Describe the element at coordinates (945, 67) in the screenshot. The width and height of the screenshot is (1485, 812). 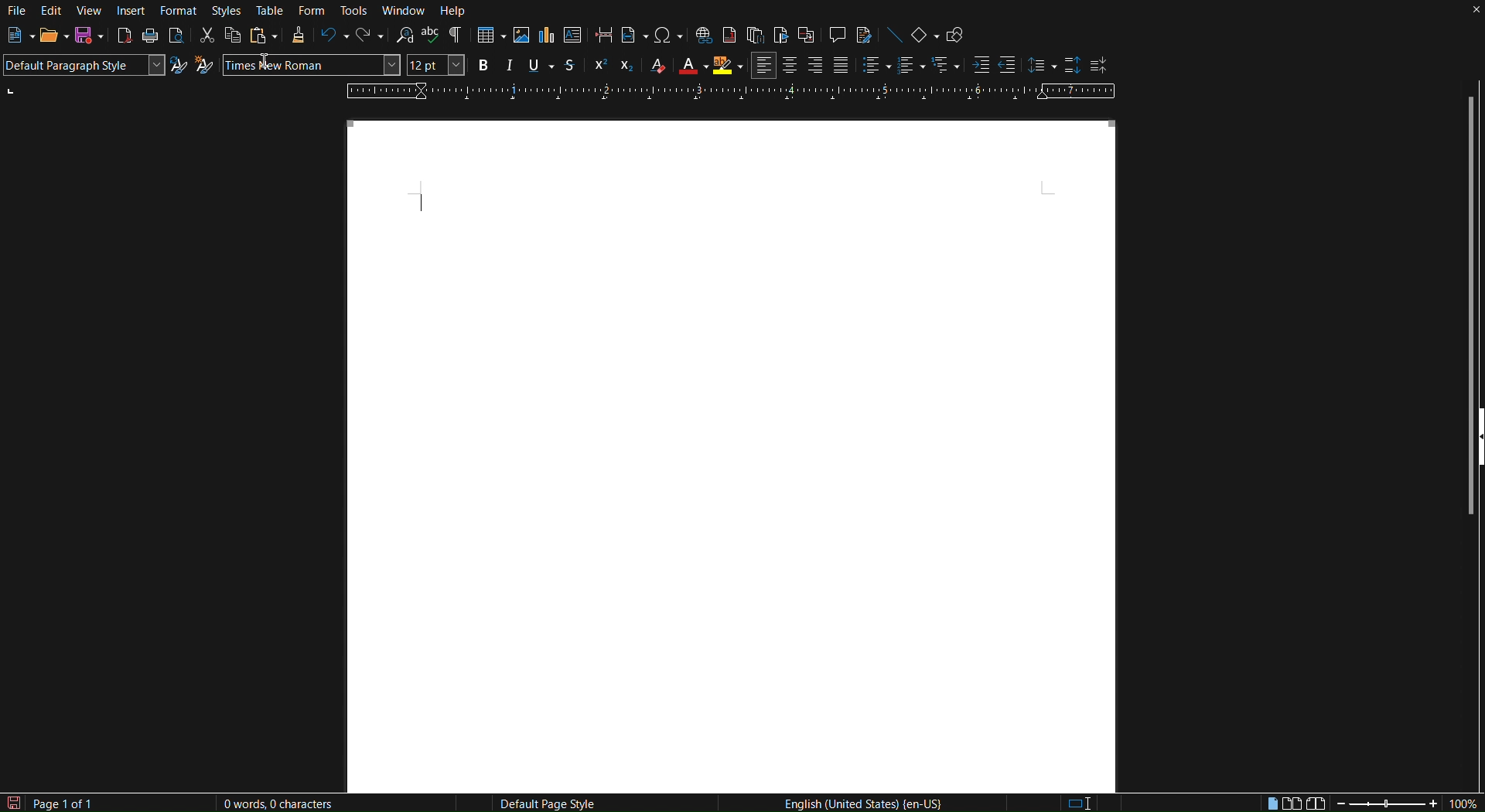
I see `Select outline format` at that location.